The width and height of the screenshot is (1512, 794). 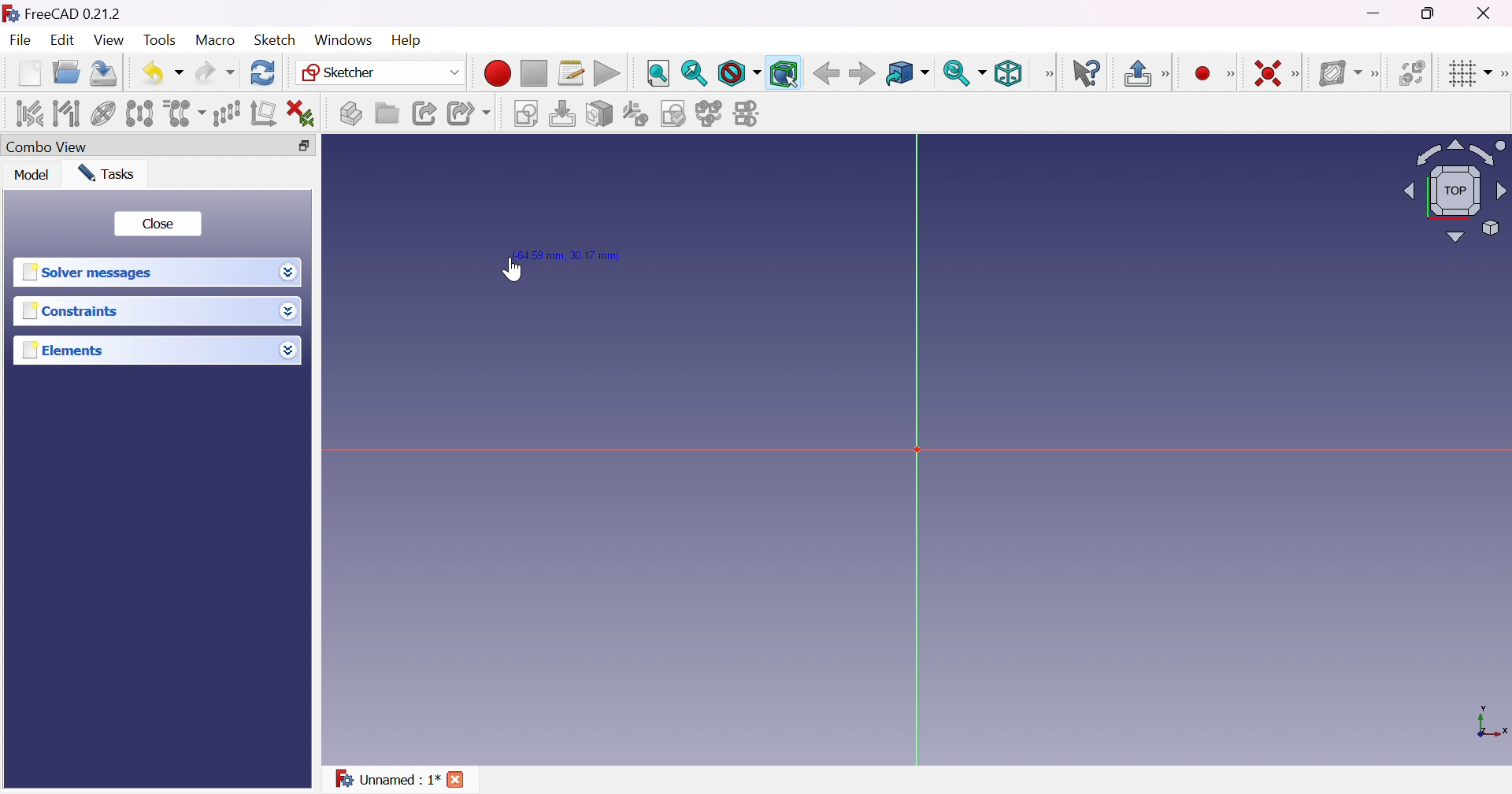 I want to click on Stop macro recording..., so click(x=534, y=72).